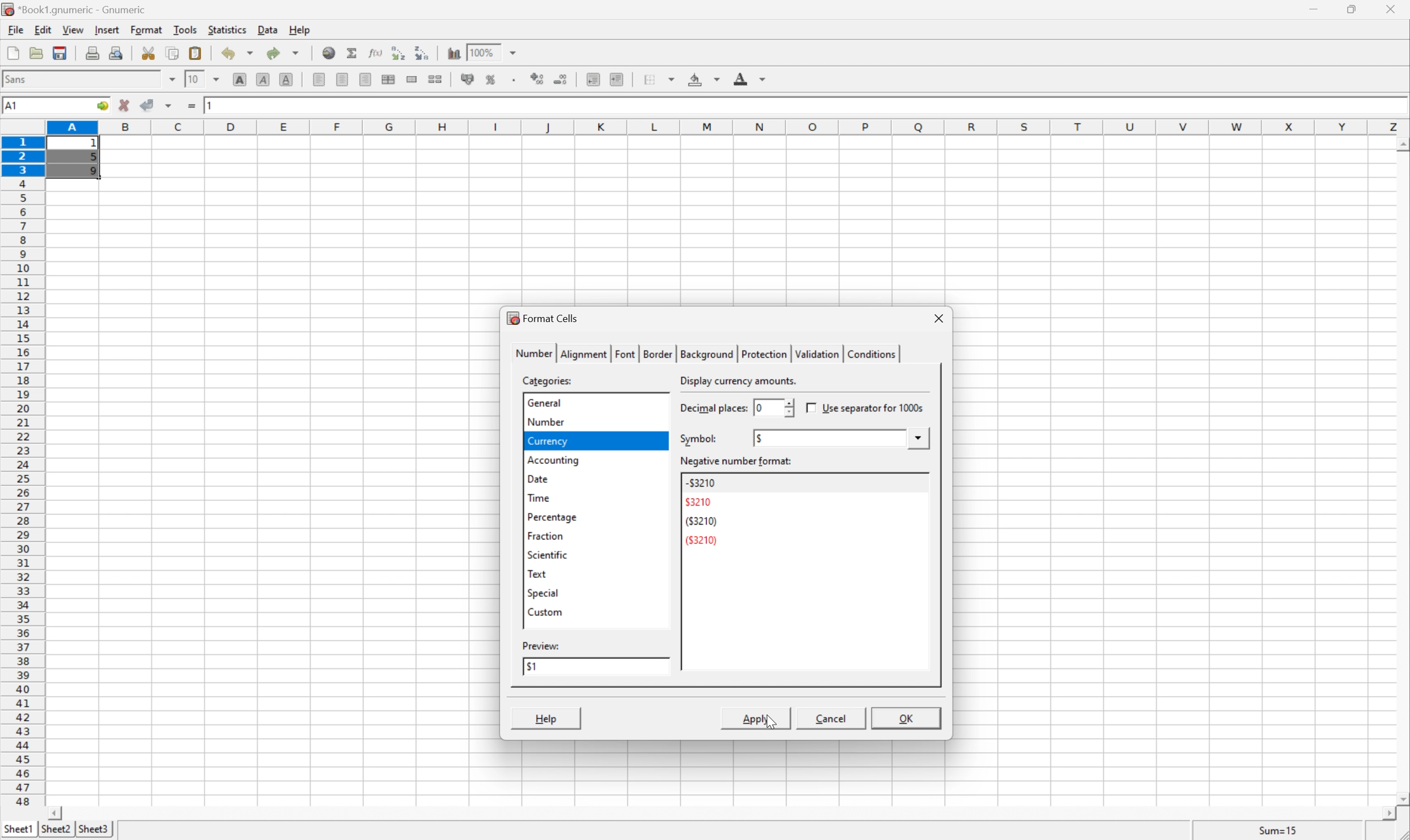 The width and height of the screenshot is (1410, 840). Describe the element at coordinates (538, 497) in the screenshot. I see `time` at that location.